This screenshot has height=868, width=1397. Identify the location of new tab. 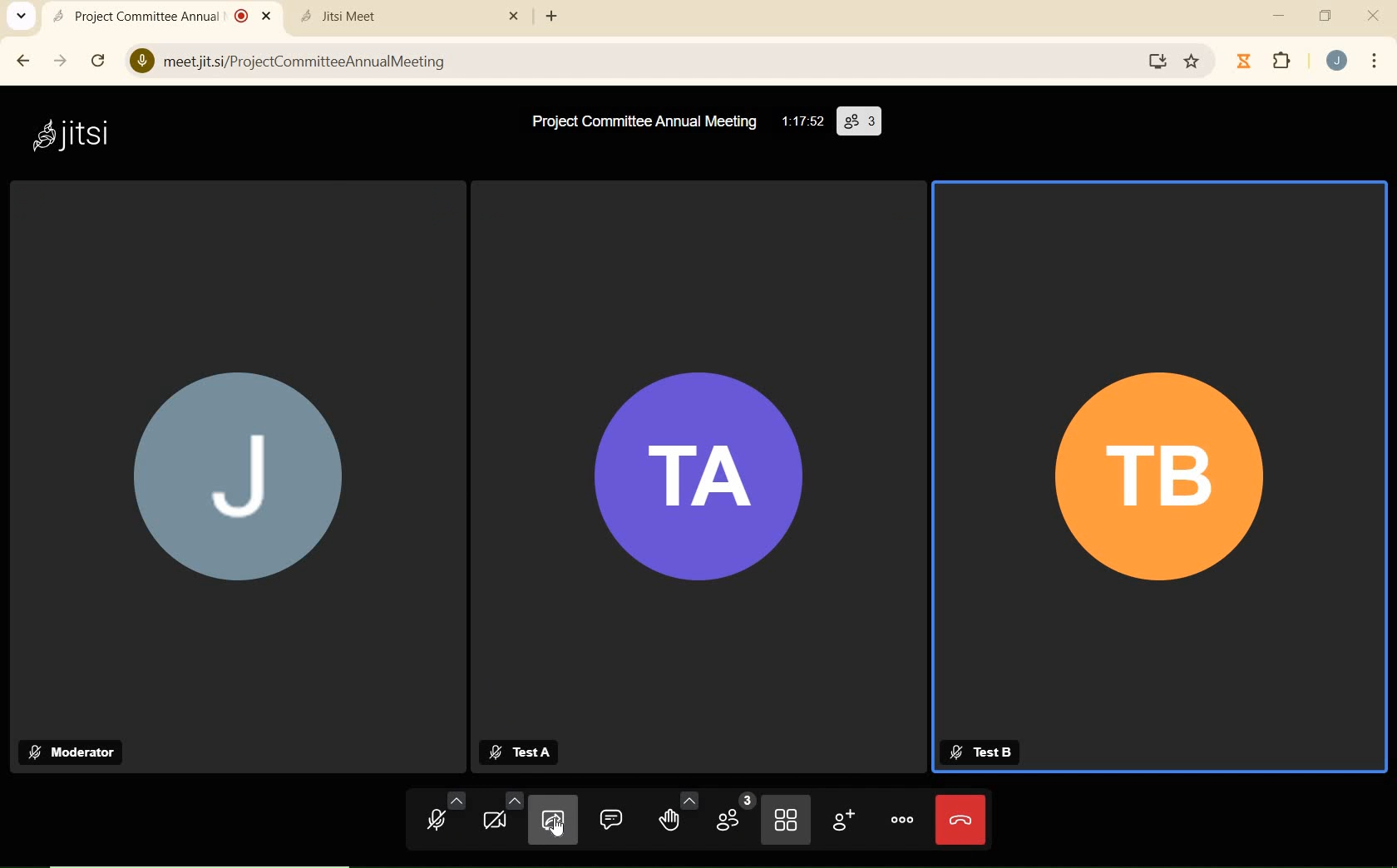
(553, 18).